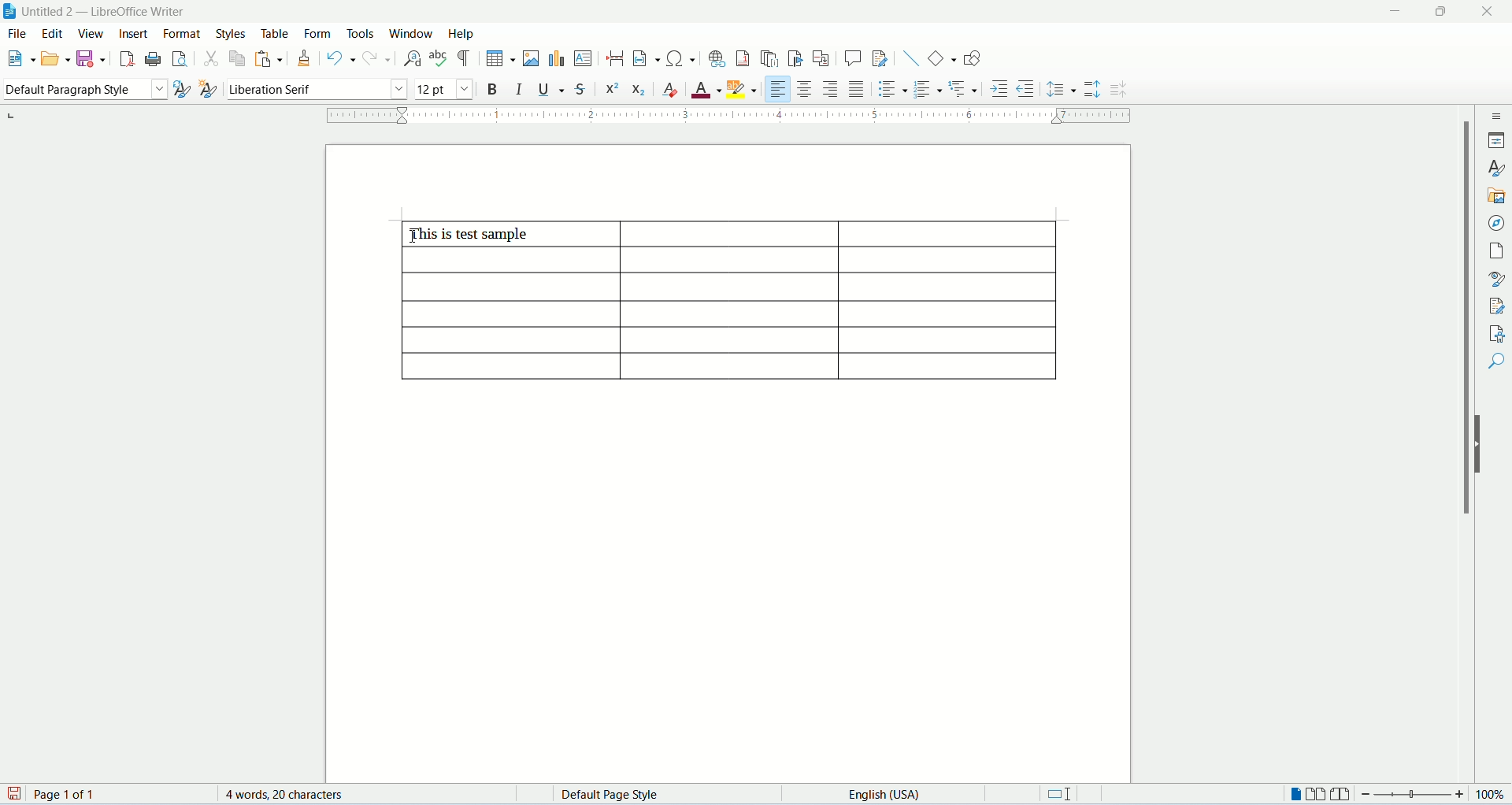  Describe the element at coordinates (1497, 221) in the screenshot. I see `navigator` at that location.